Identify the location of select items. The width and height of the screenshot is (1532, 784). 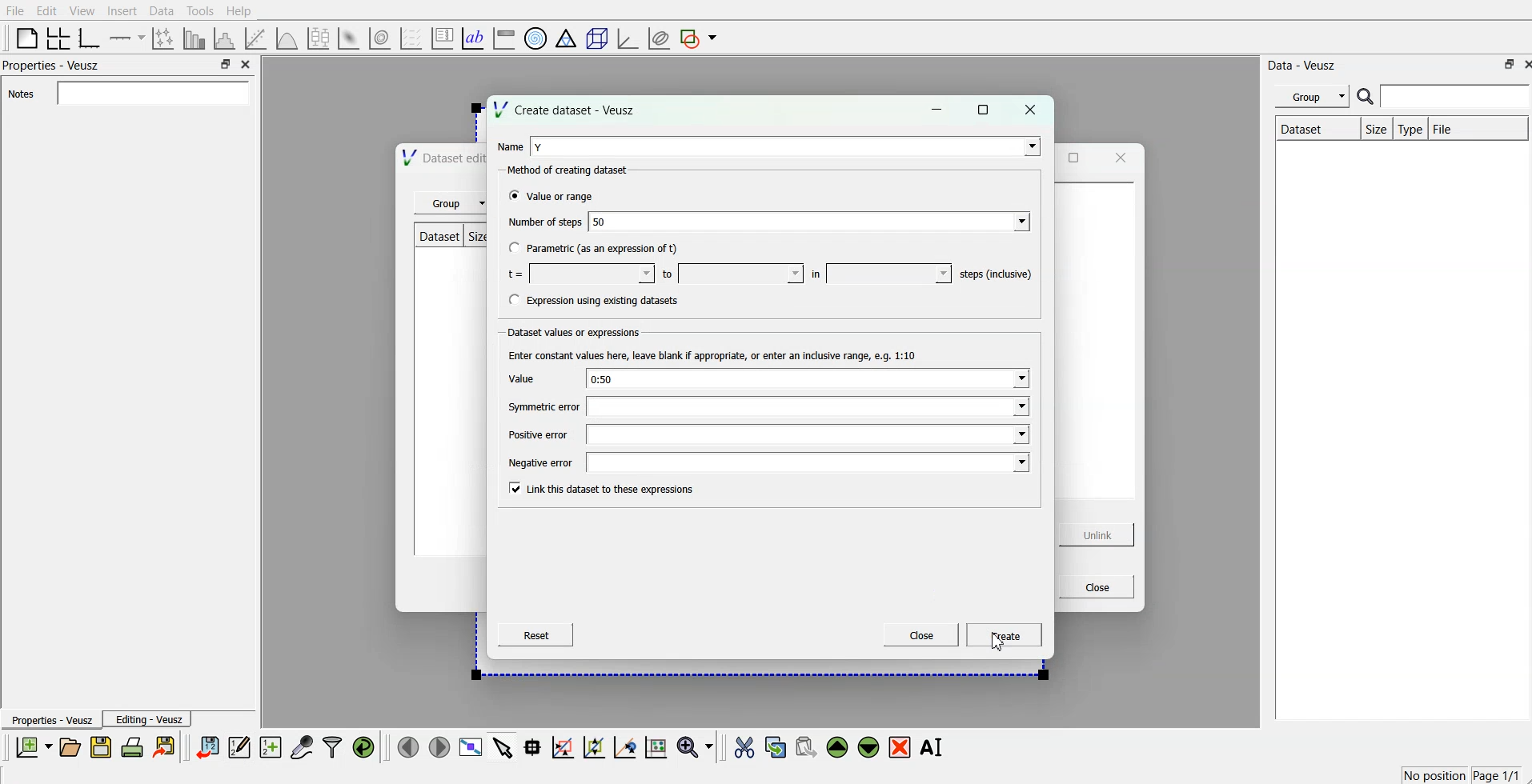
(502, 749).